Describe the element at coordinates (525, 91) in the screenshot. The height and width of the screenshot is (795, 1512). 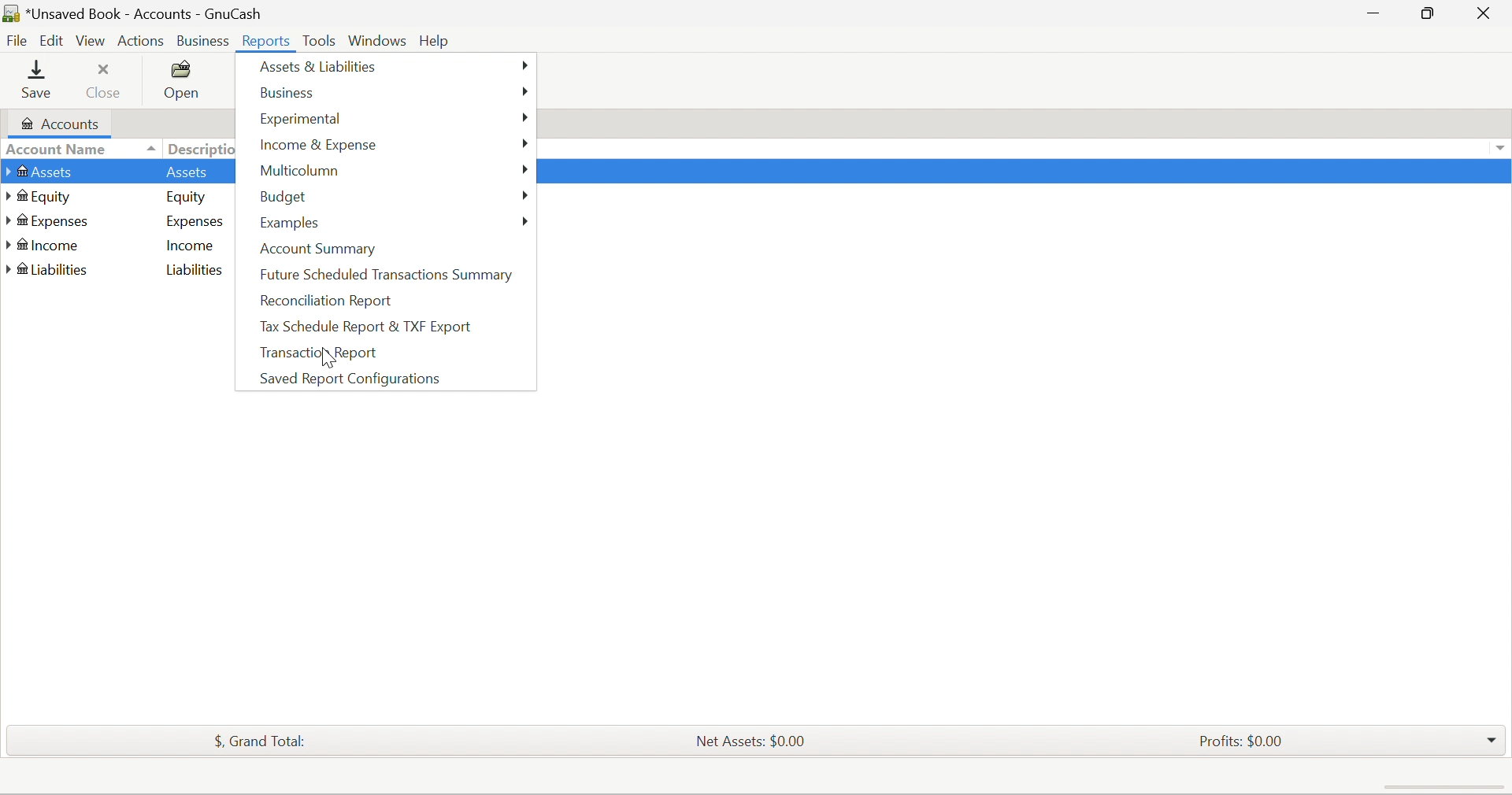
I see `More` at that location.